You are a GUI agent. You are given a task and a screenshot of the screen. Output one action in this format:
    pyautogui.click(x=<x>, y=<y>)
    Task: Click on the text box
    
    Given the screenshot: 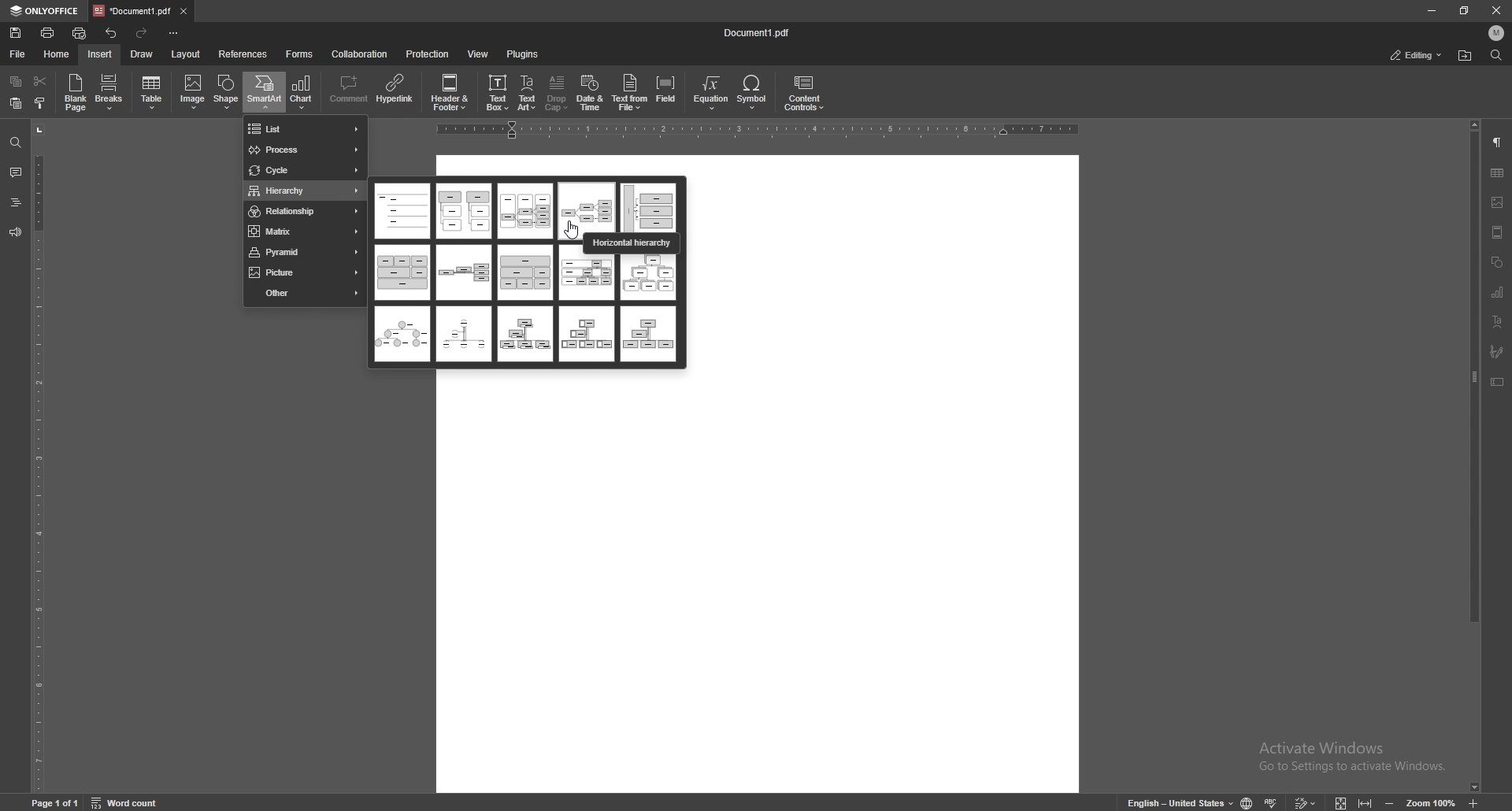 What is the action you would take?
    pyautogui.click(x=498, y=91)
    